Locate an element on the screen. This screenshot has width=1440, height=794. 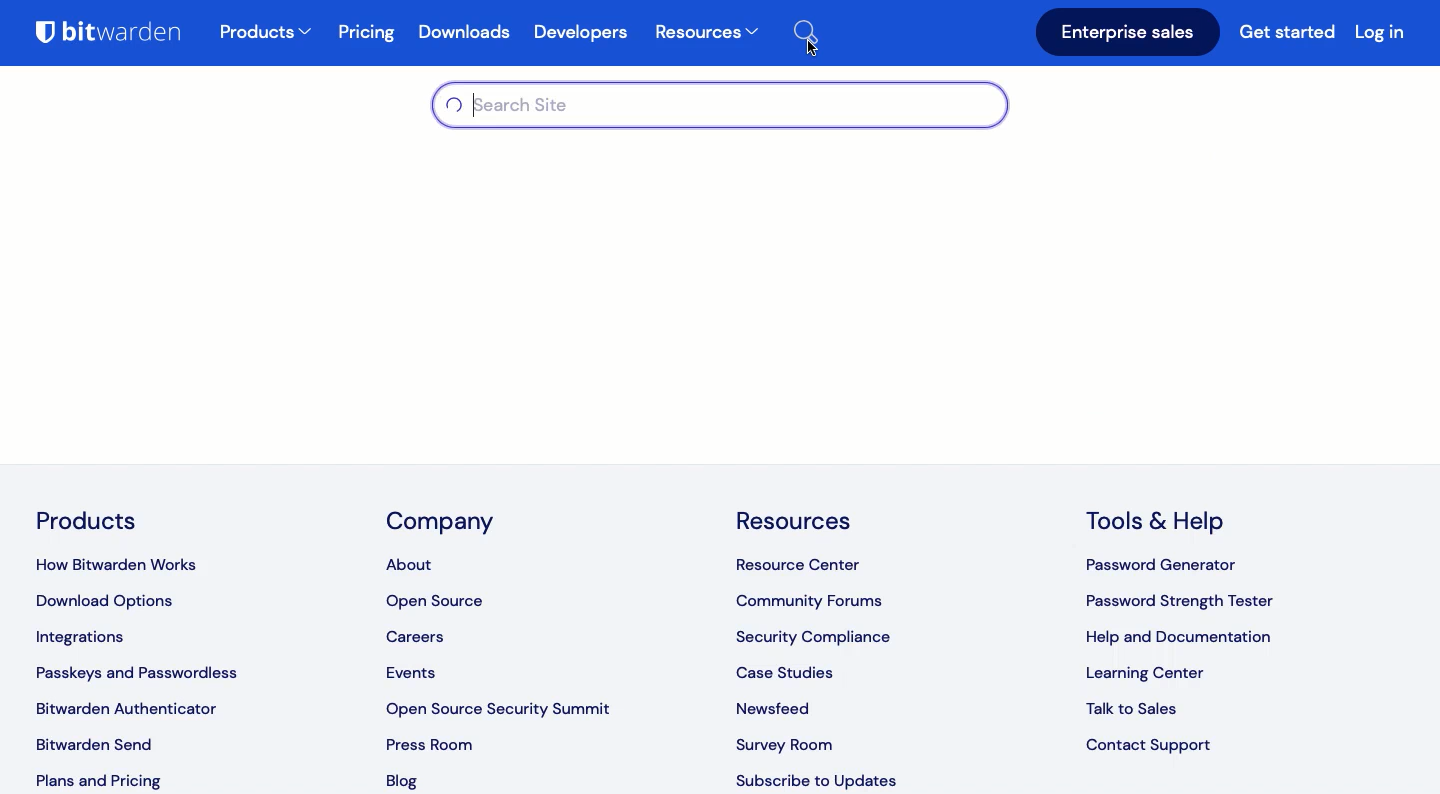
help and documentation is located at coordinates (1181, 638).